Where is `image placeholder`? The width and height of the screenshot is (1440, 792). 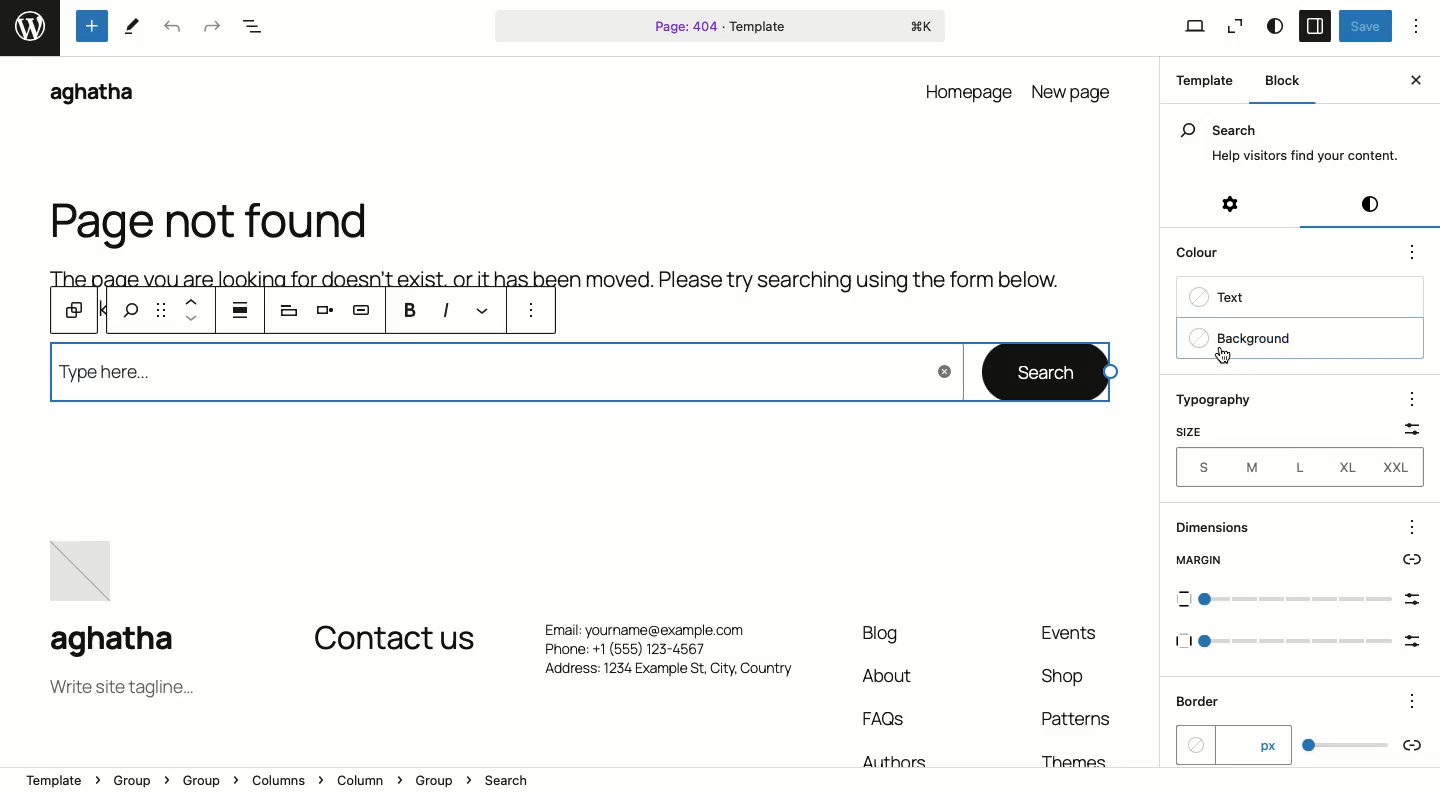 image placeholder is located at coordinates (86, 573).